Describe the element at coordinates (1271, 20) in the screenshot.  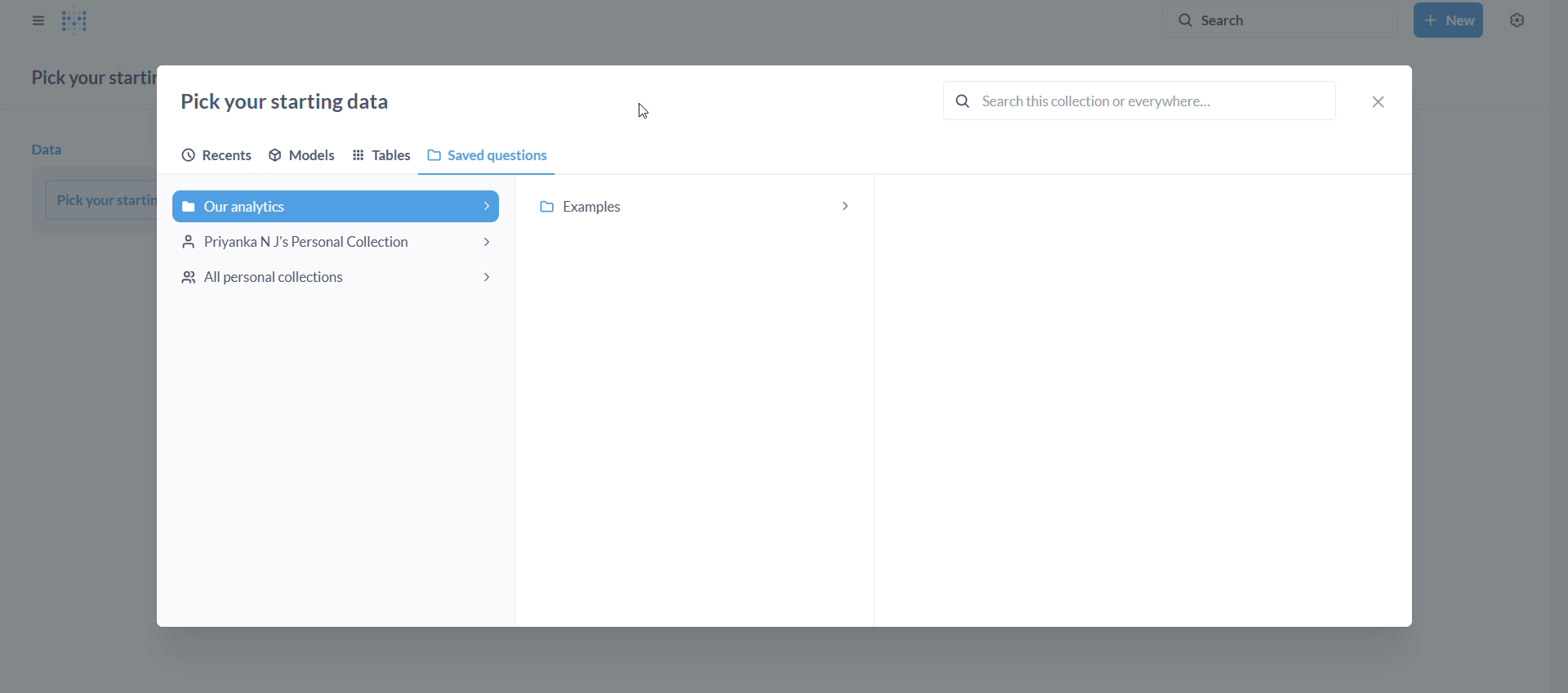
I see `search` at that location.